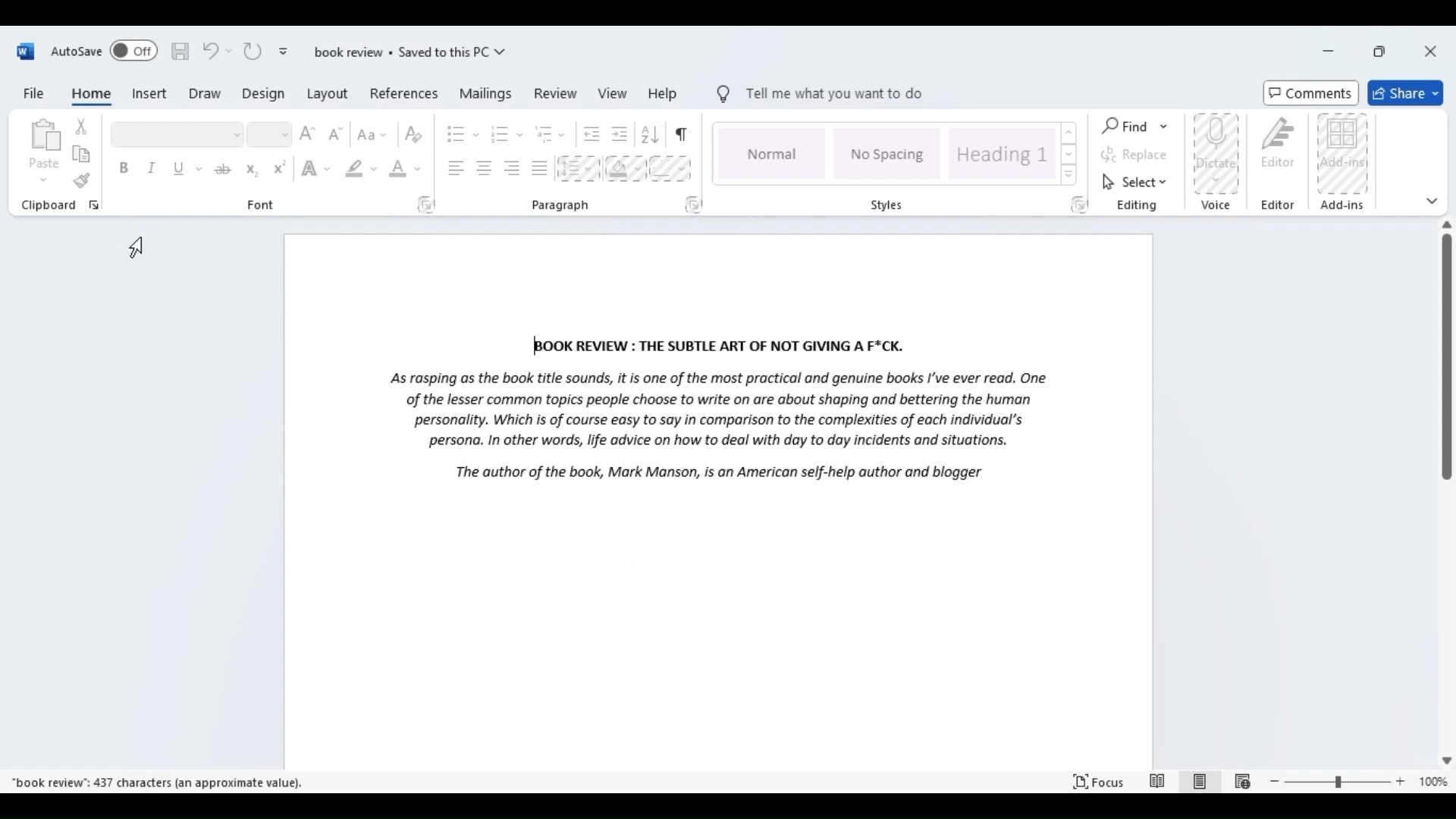 The height and width of the screenshot is (819, 1456). I want to click on Home, so click(93, 96).